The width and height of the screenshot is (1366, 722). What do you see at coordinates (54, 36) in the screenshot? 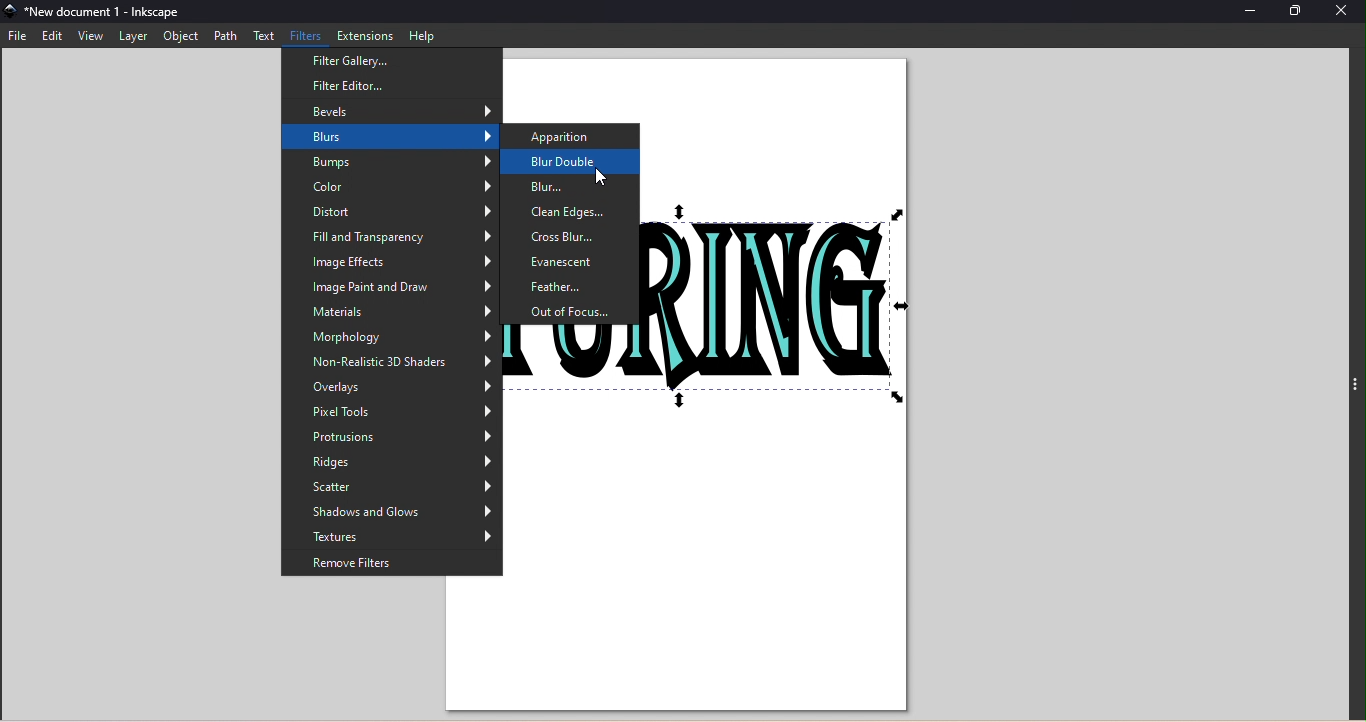
I see `Edit` at bounding box center [54, 36].